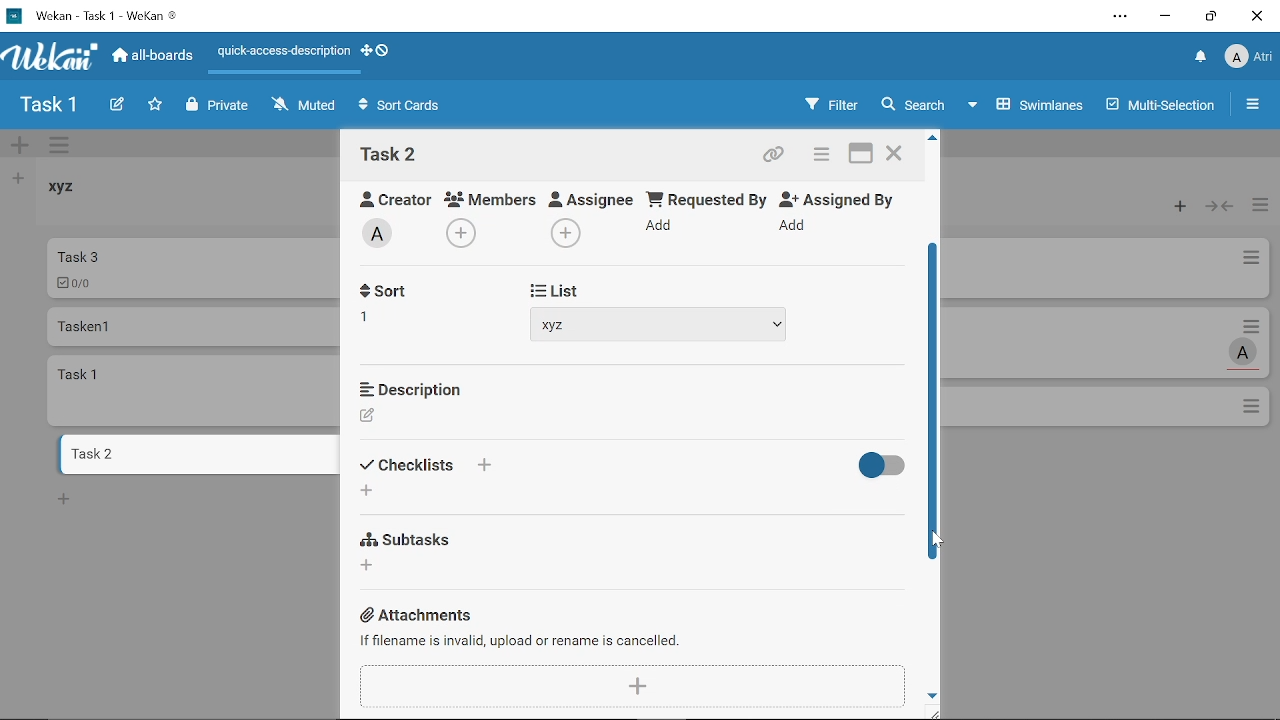 Image resolution: width=1280 pixels, height=720 pixels. I want to click on Profile, so click(1248, 59).